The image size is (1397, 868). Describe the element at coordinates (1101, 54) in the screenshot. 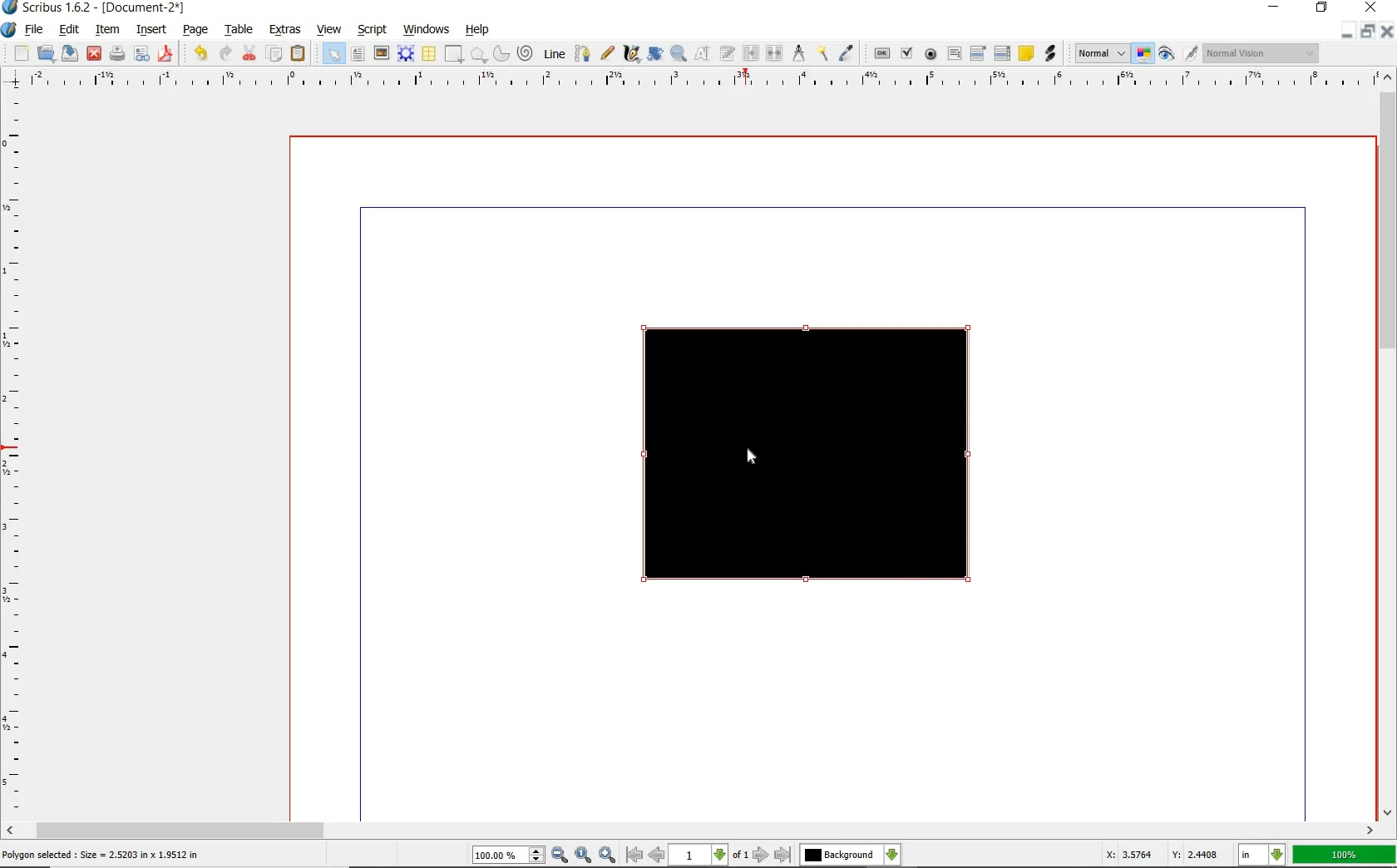

I see `image preview quality` at that location.